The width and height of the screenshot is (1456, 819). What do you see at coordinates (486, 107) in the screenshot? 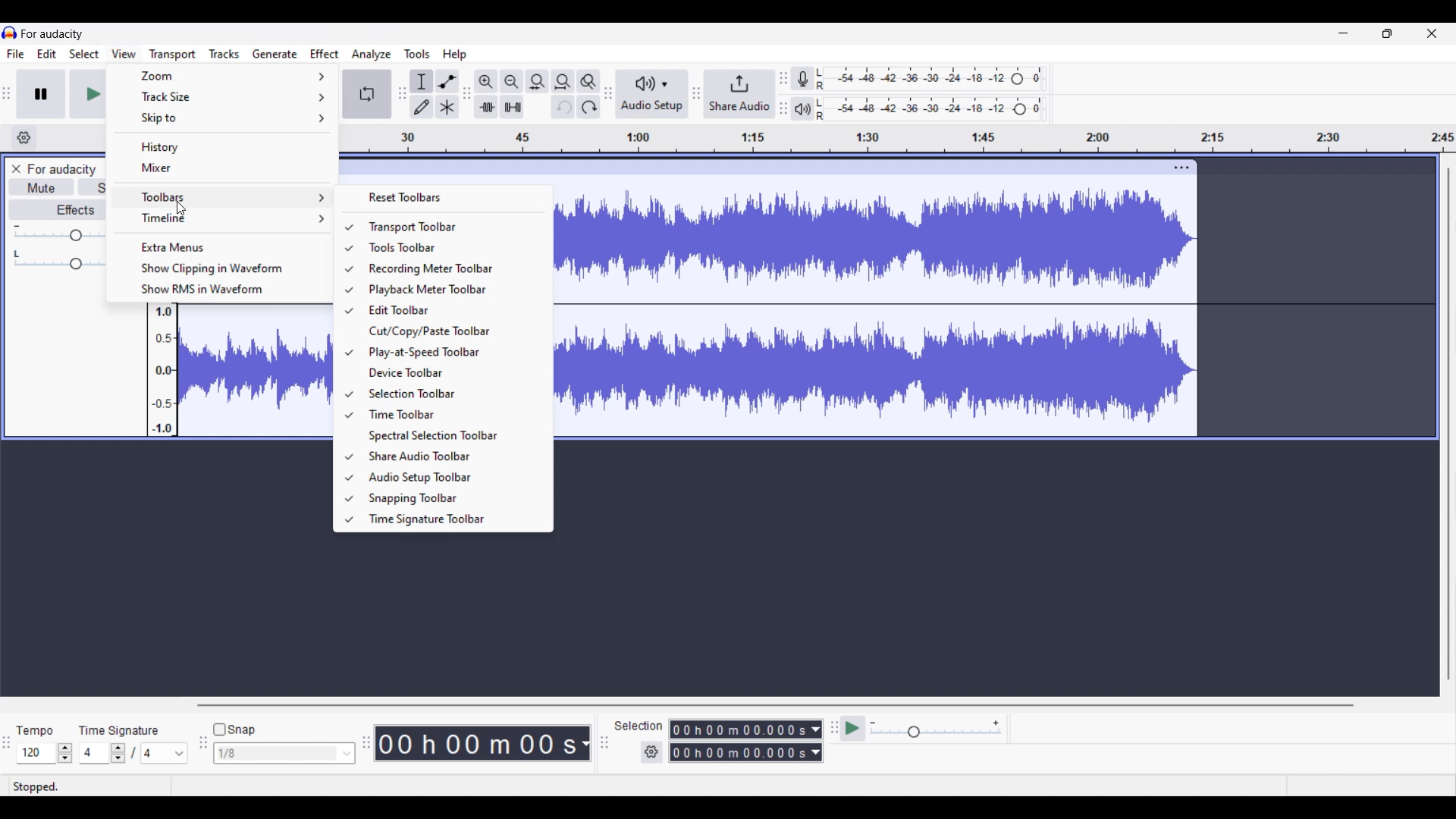
I see `Trim audio outside selection` at bounding box center [486, 107].